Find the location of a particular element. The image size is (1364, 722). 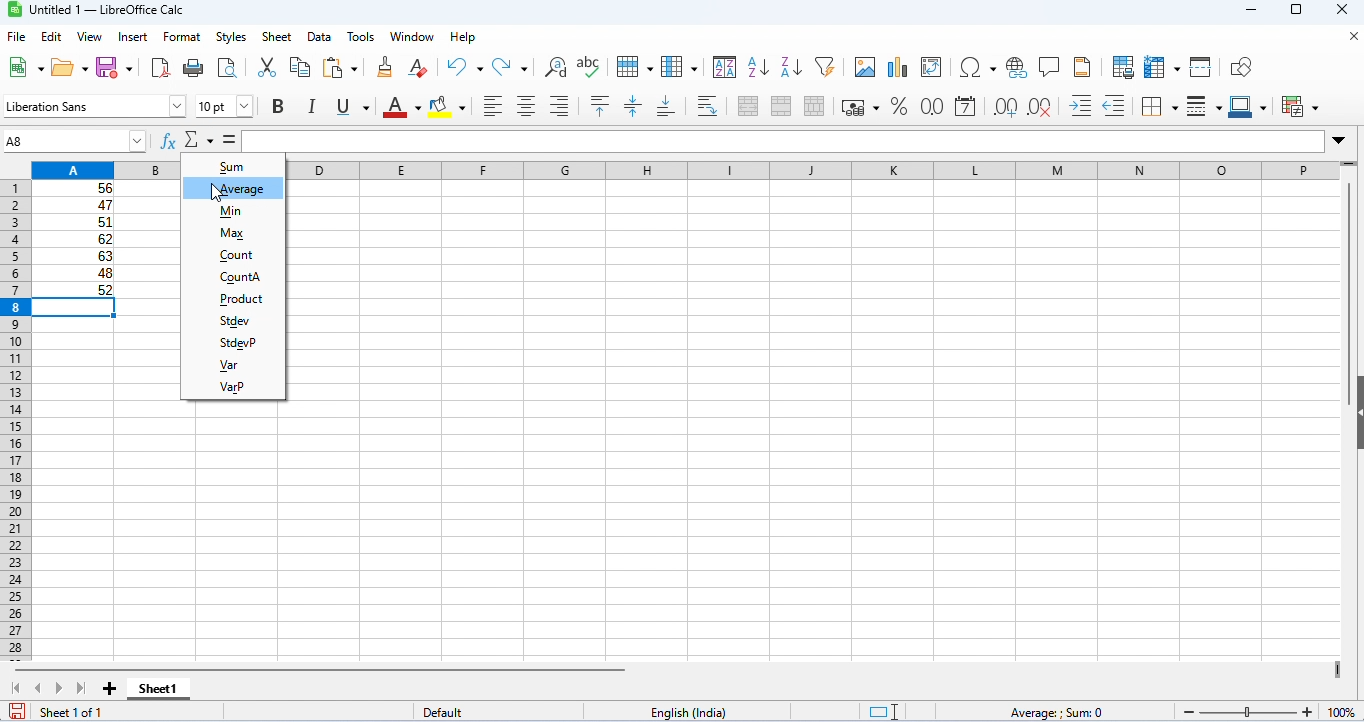

border color is located at coordinates (1251, 106).